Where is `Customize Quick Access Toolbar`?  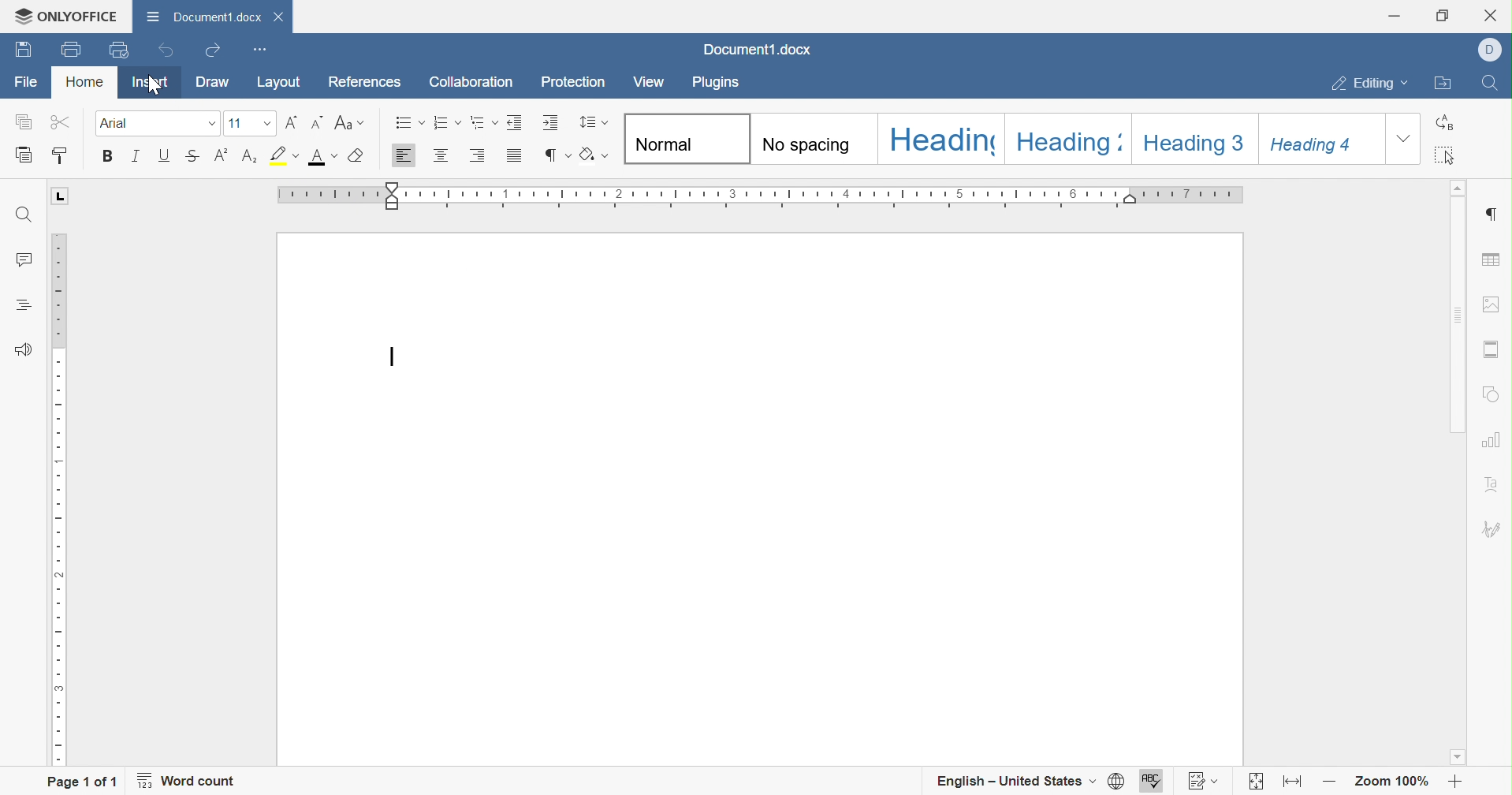 Customize Quick Access Toolbar is located at coordinates (258, 50).